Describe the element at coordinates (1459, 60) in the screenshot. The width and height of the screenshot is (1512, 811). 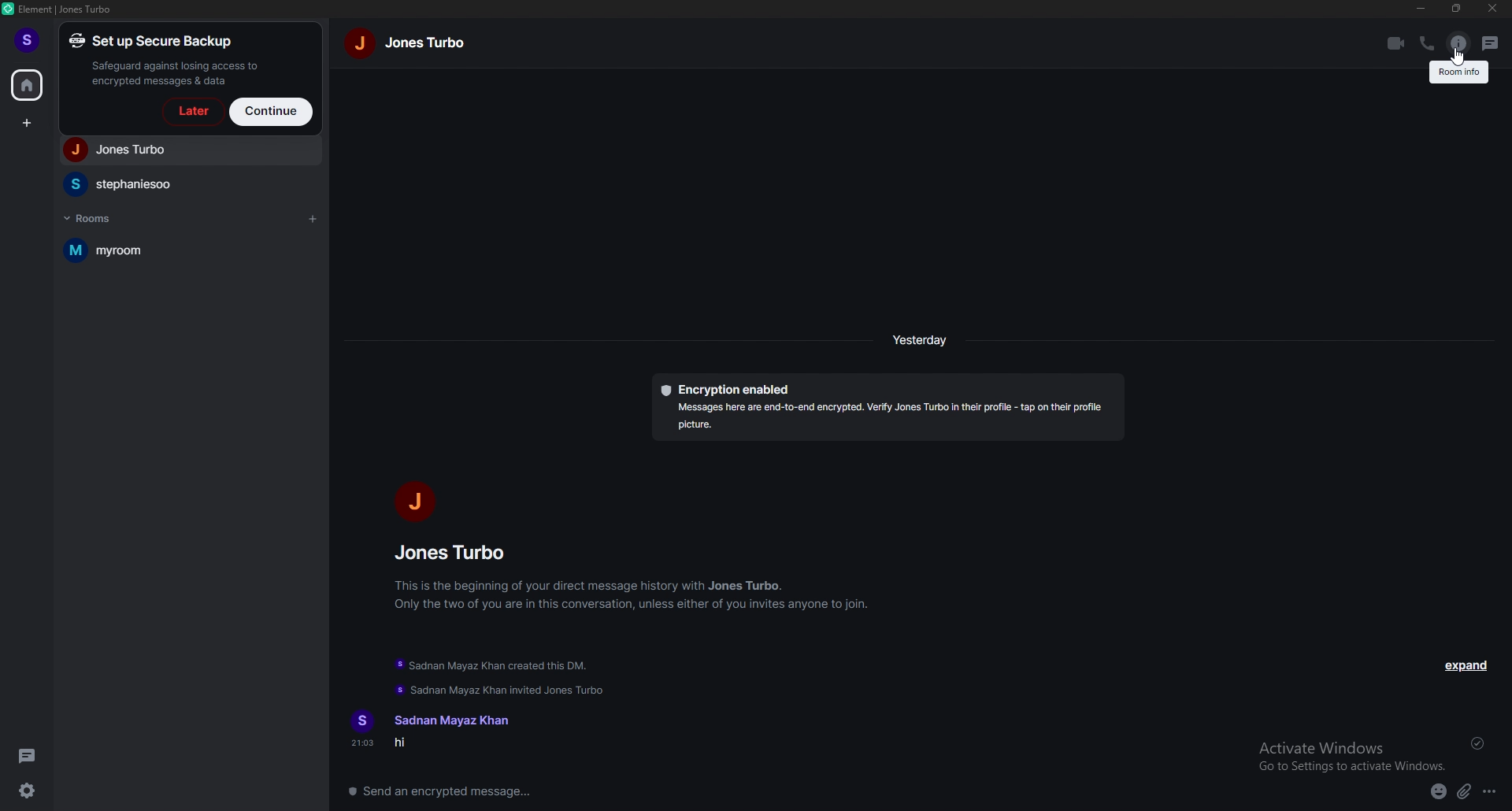
I see `cursor` at that location.